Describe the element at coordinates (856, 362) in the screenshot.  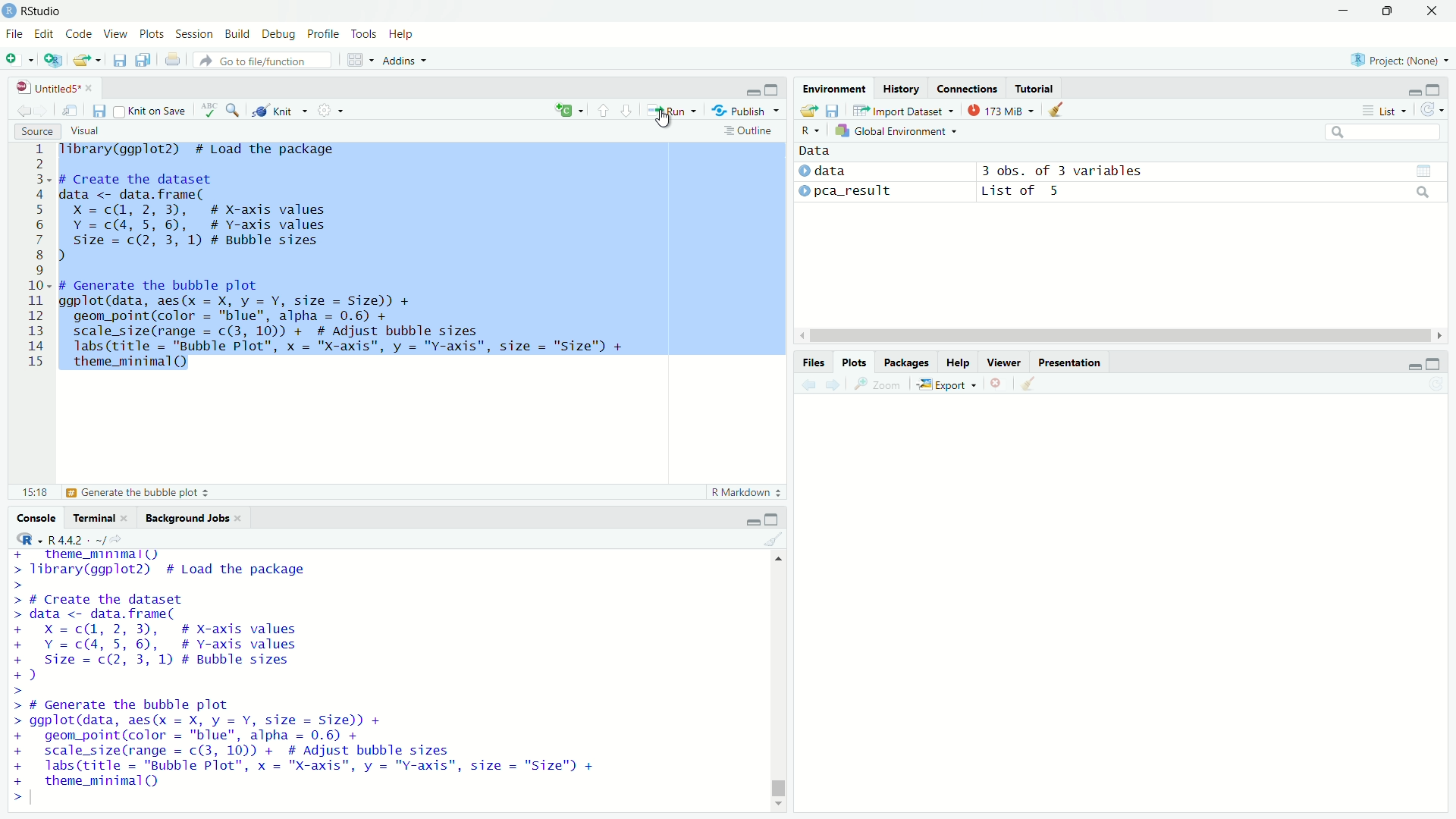
I see `plots` at that location.